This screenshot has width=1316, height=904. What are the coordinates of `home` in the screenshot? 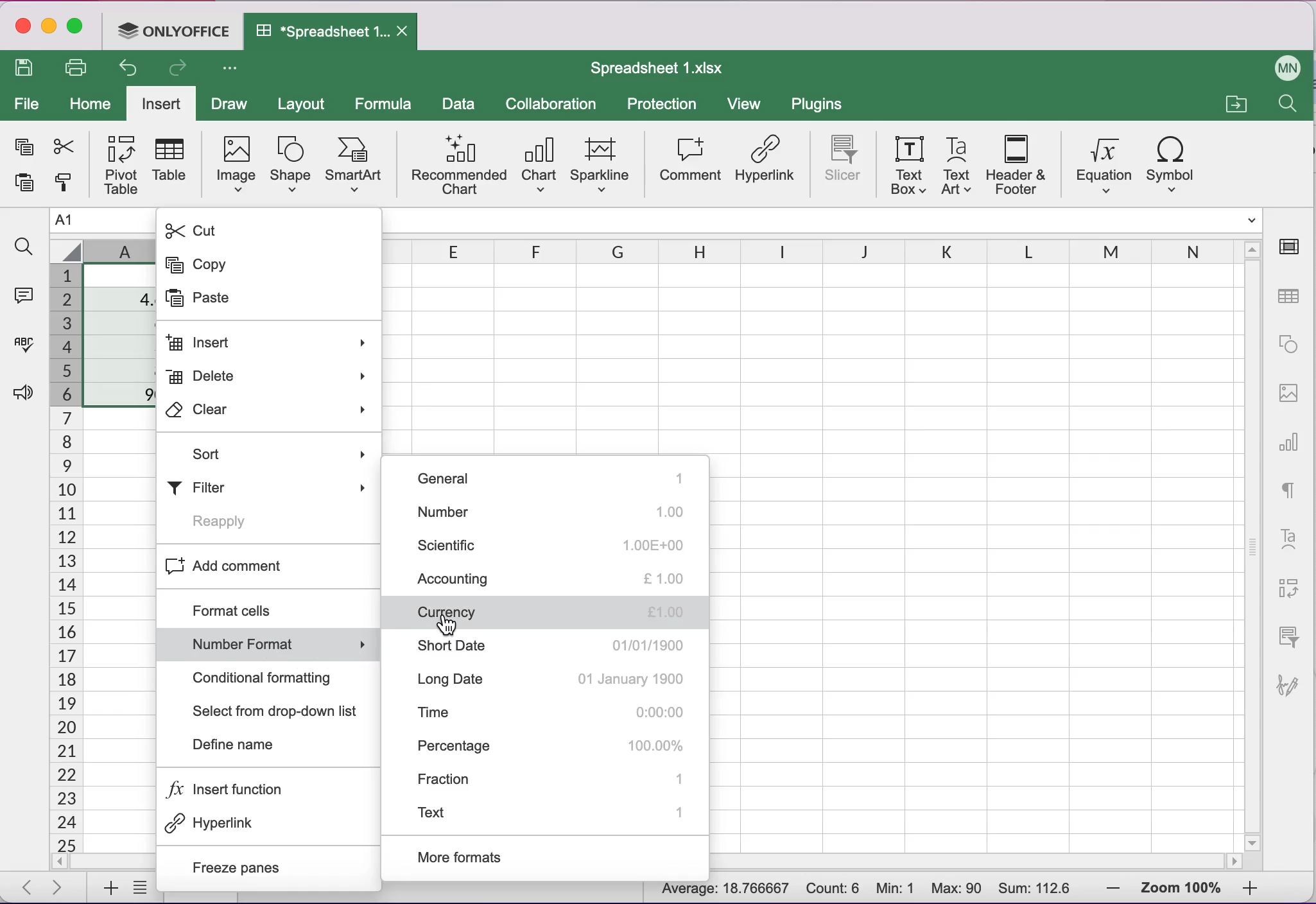 It's located at (92, 104).